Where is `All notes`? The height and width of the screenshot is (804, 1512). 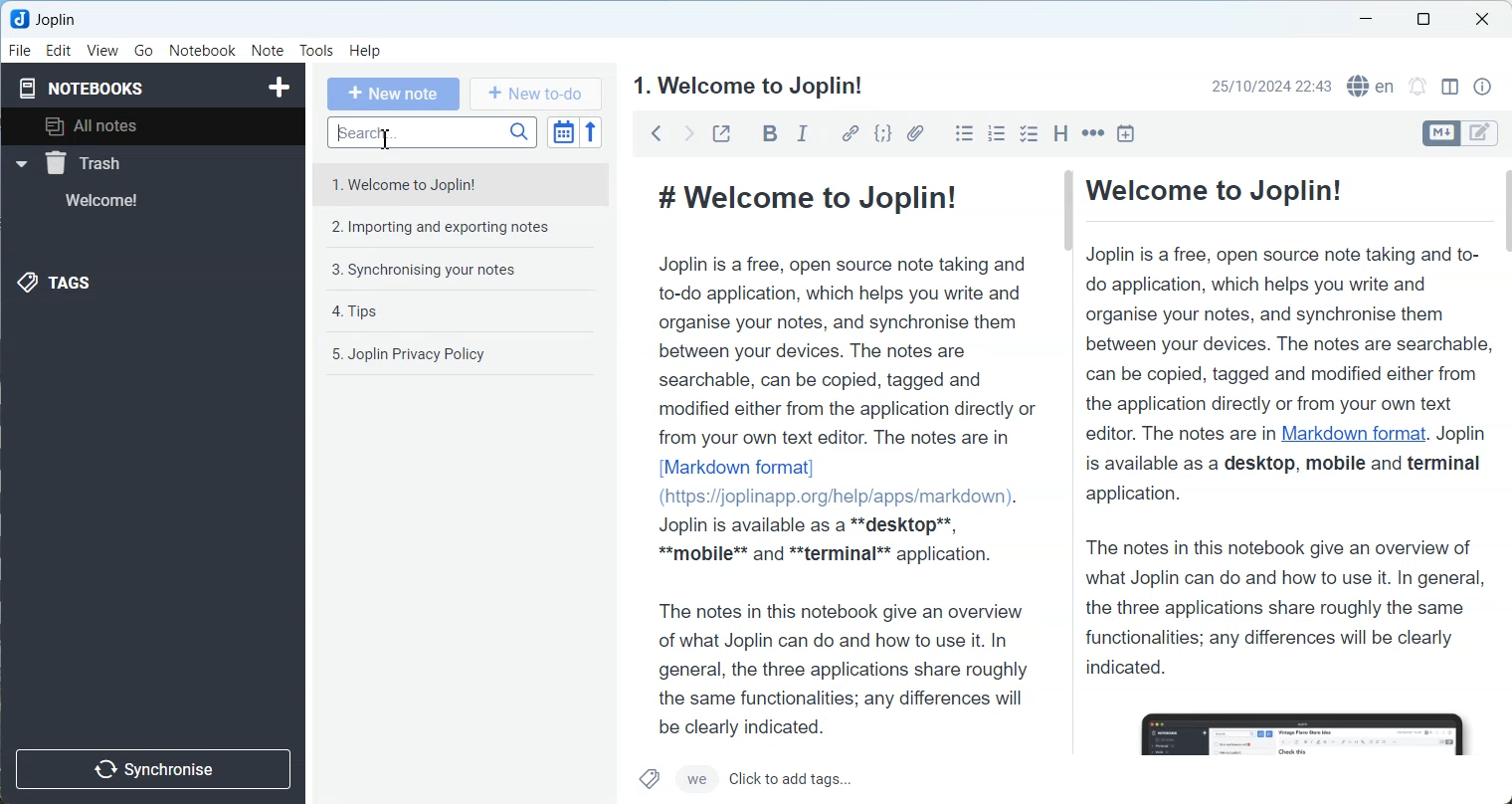
All notes is located at coordinates (160, 127).